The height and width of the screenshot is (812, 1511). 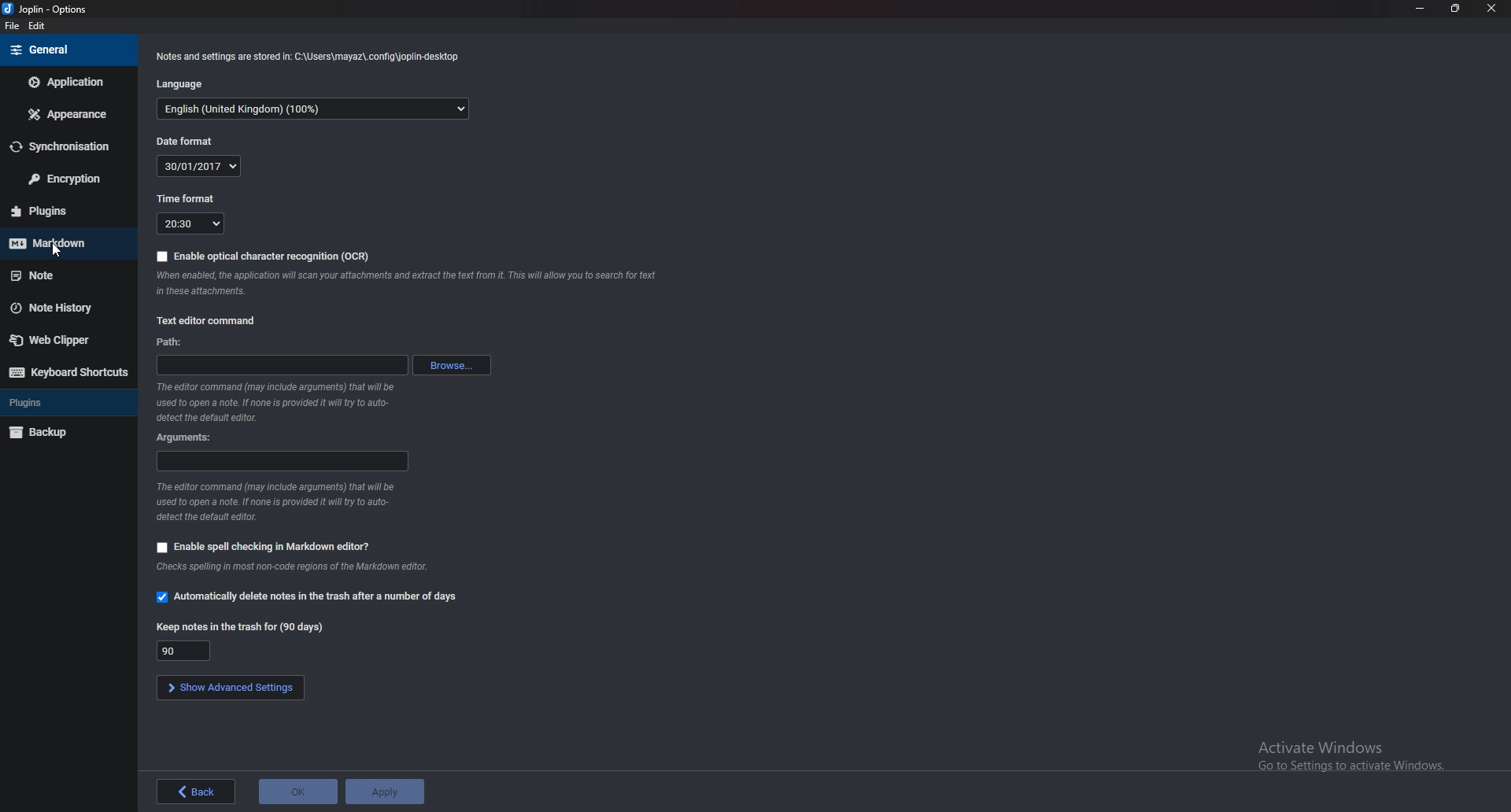 I want to click on close, so click(x=1493, y=8).